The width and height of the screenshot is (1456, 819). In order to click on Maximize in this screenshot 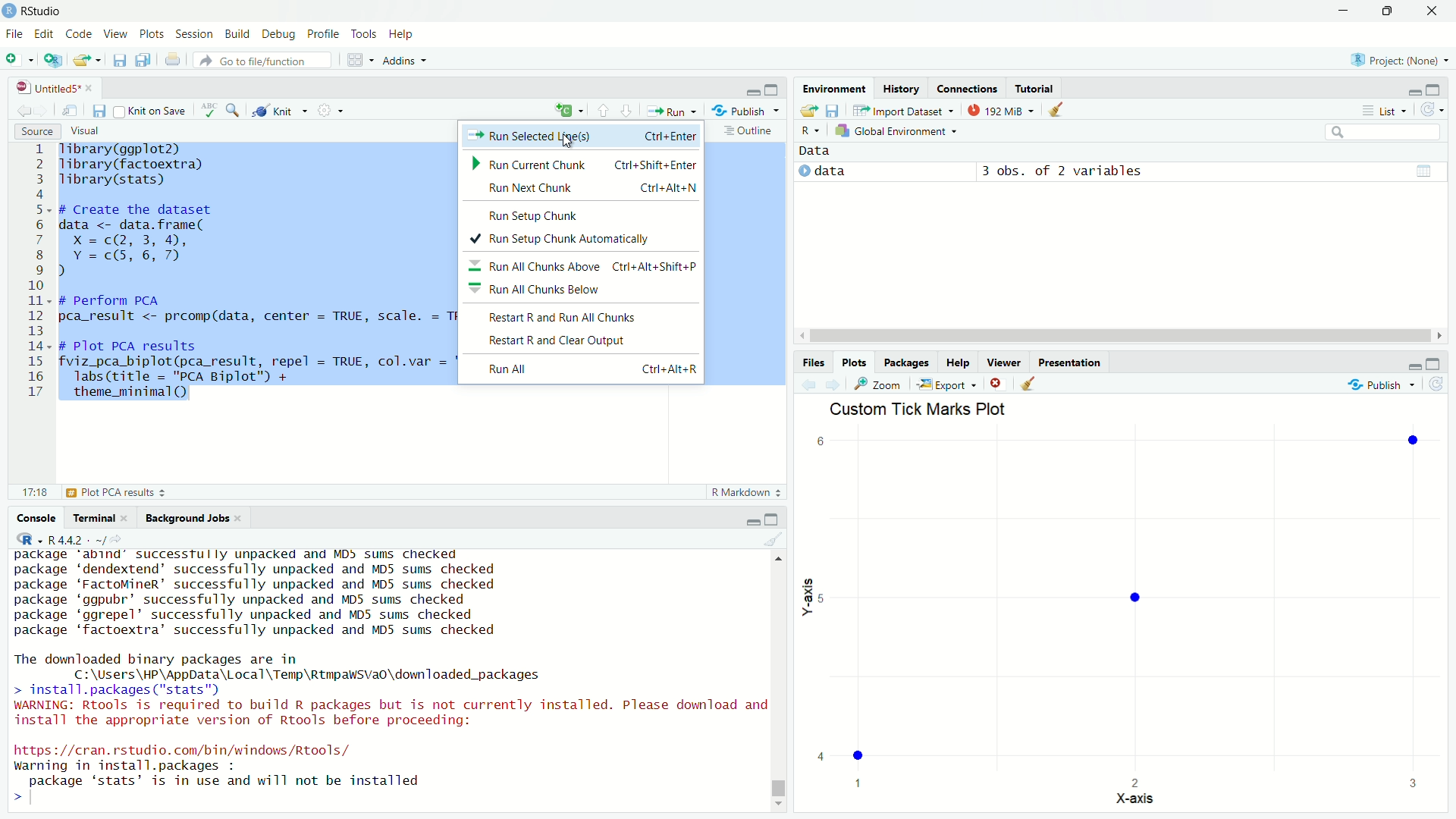, I will do `click(1385, 11)`.